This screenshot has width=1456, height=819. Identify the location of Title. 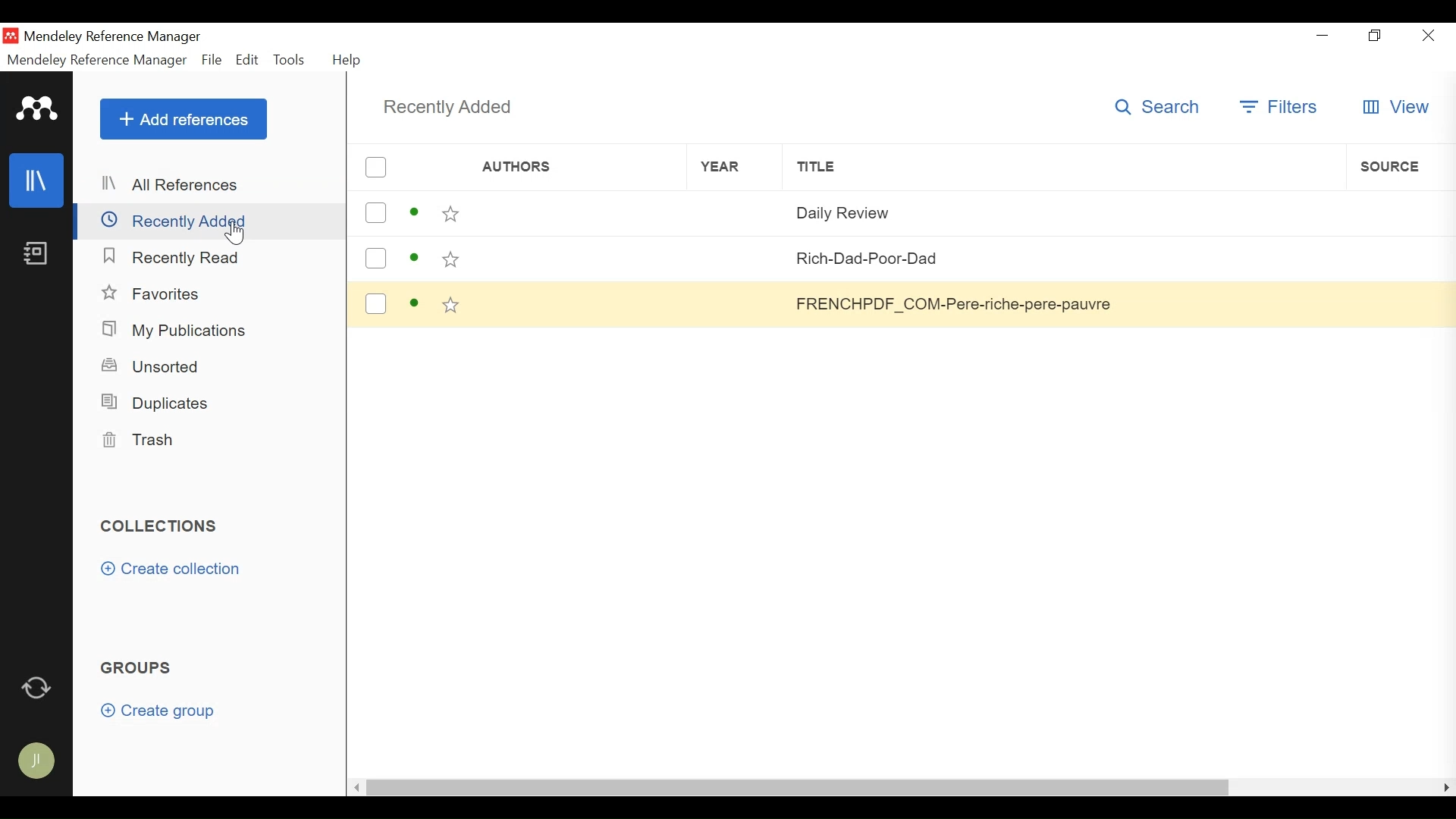
(1059, 258).